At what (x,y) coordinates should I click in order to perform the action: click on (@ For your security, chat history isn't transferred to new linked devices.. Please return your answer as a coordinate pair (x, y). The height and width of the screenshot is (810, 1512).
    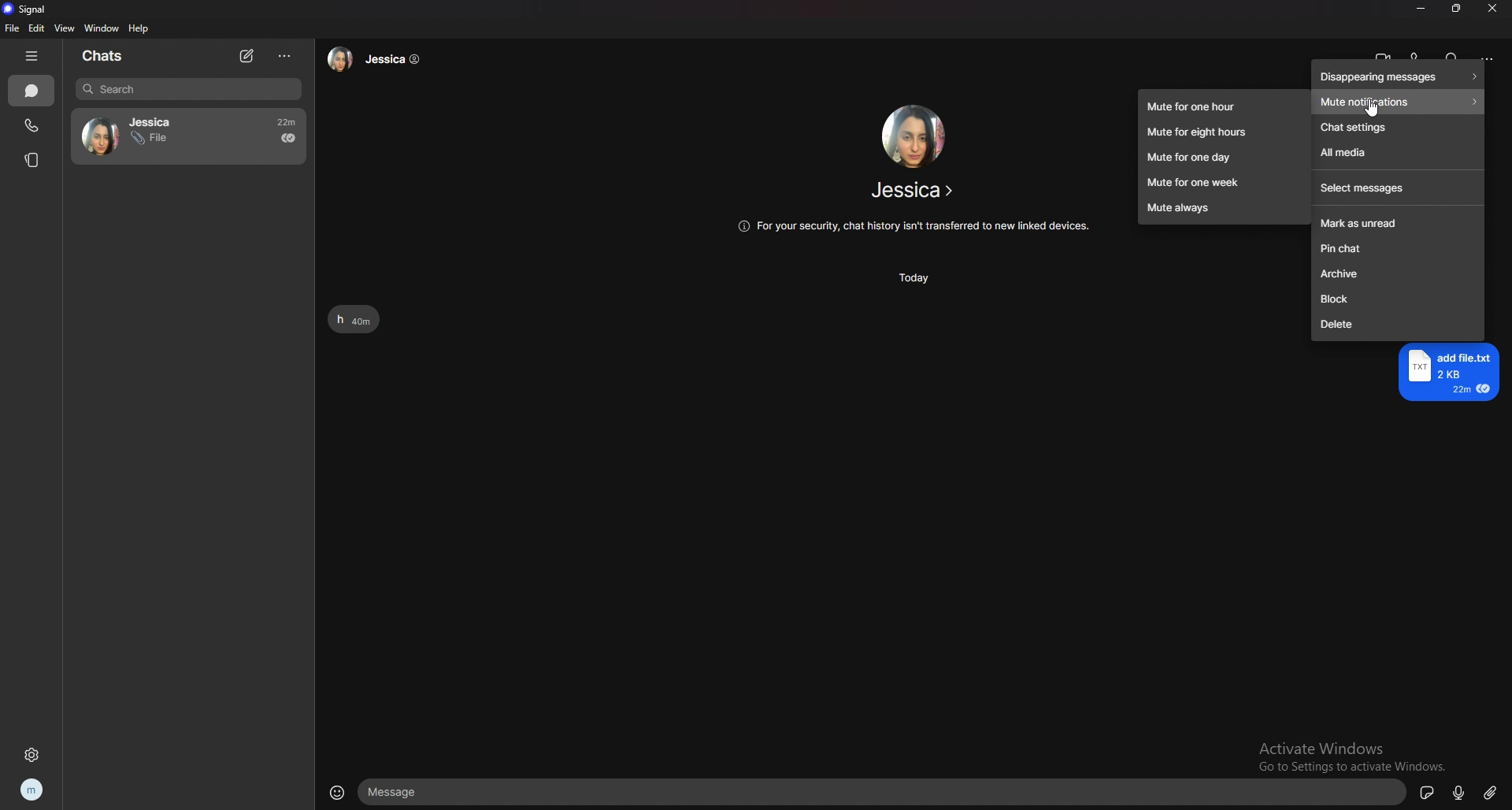
    Looking at the image, I should click on (915, 225).